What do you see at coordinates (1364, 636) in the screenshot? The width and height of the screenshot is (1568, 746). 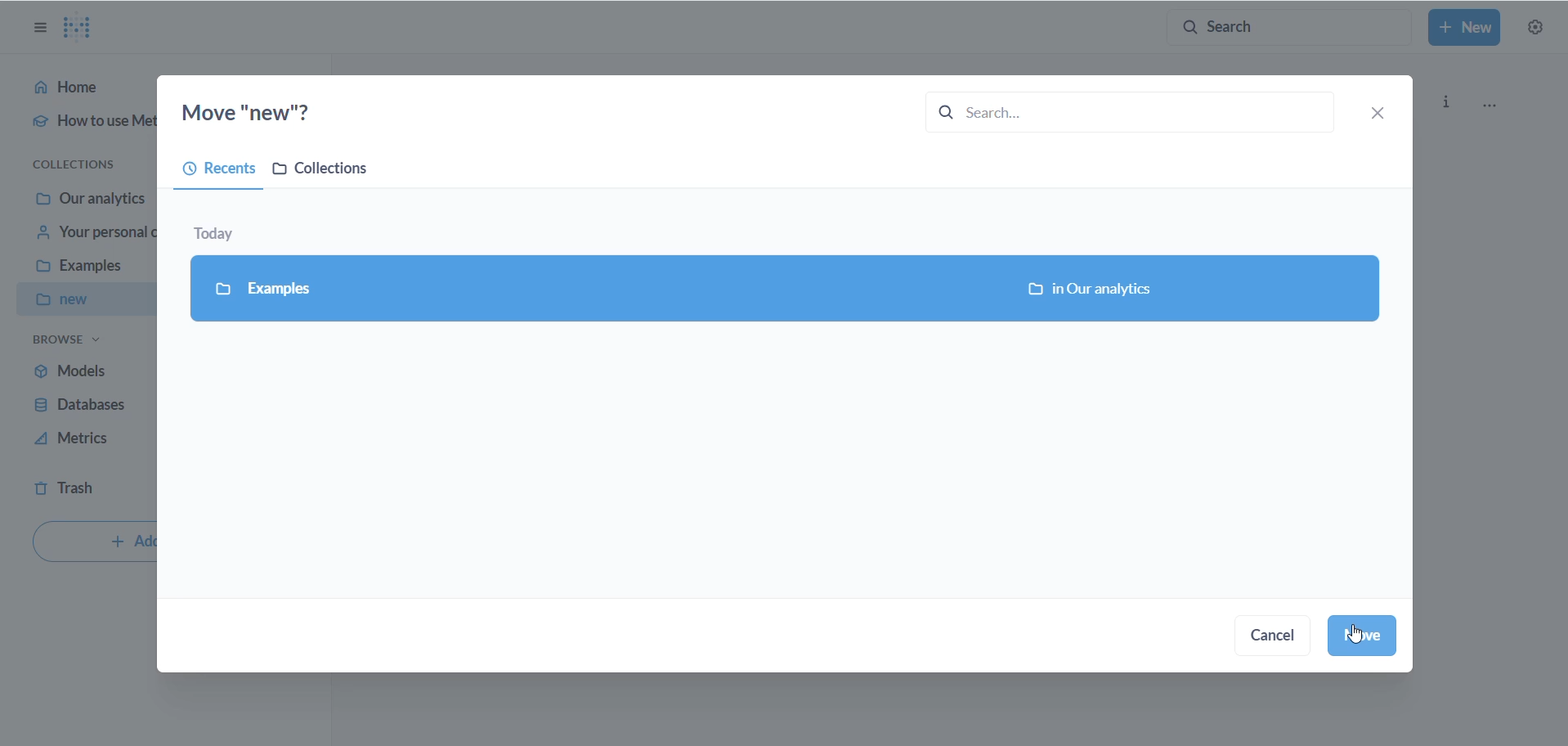 I see `MOVE` at bounding box center [1364, 636].